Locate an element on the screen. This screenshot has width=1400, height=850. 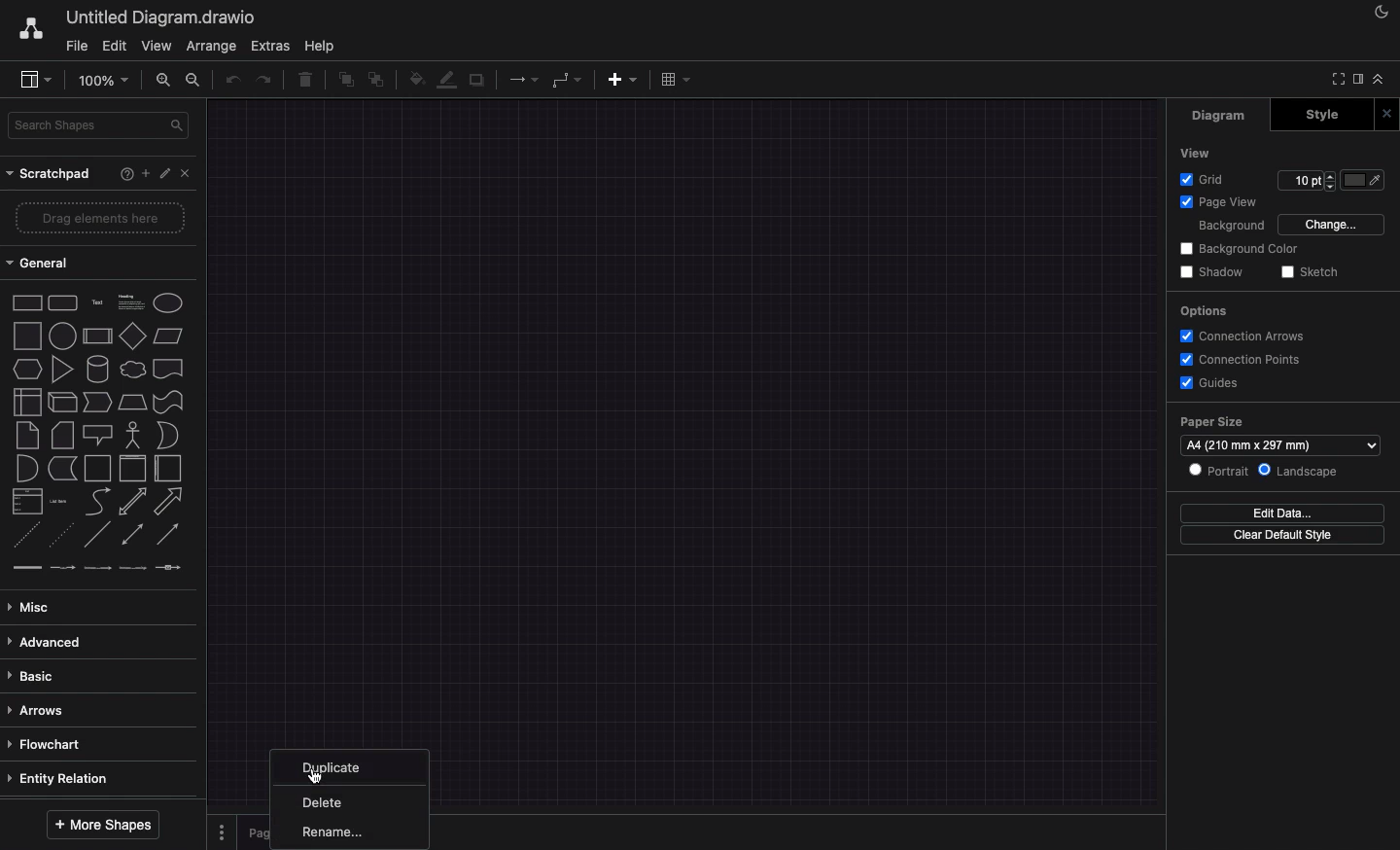
grid is located at coordinates (1202, 181).